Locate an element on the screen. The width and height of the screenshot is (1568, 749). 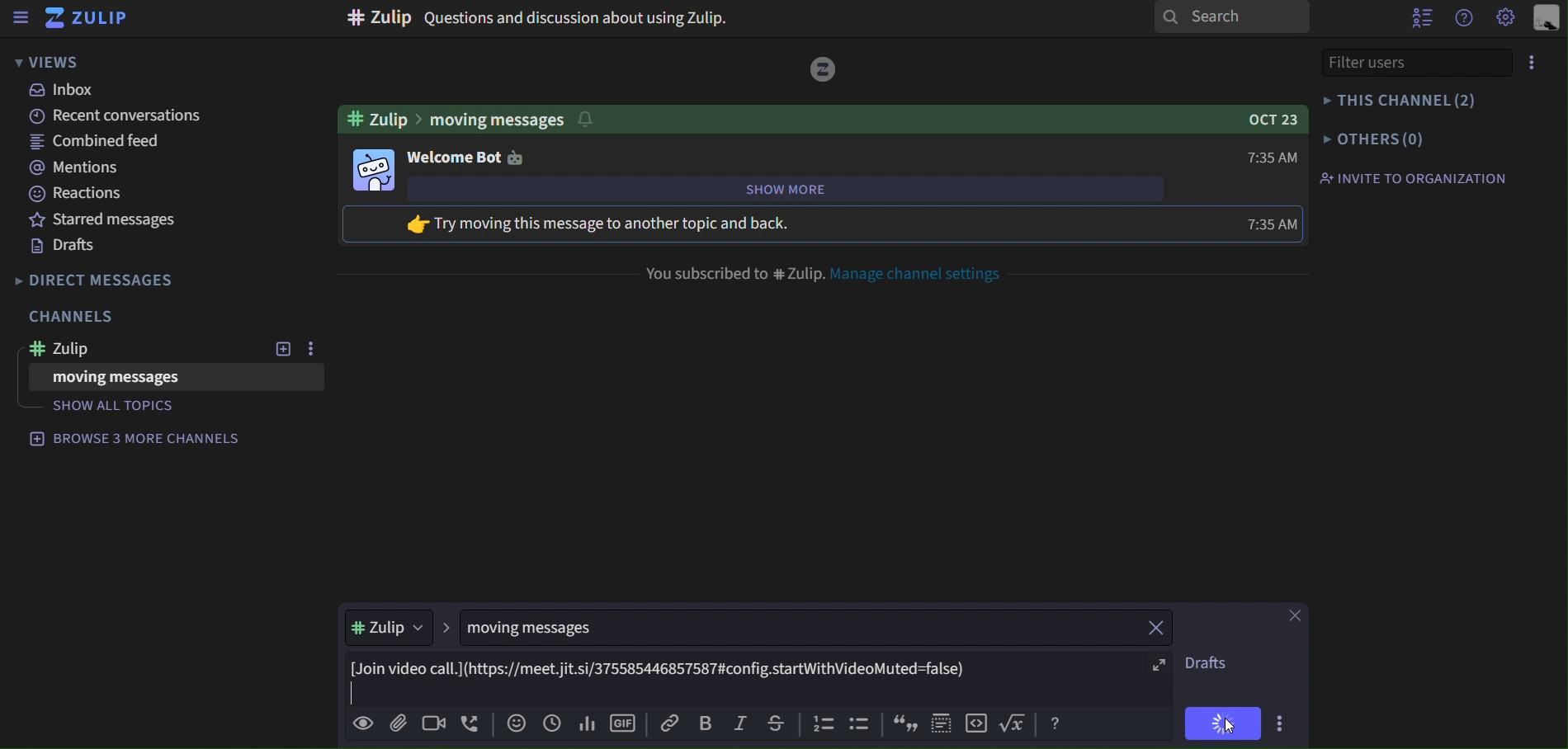
filter users is located at coordinates (1428, 62).